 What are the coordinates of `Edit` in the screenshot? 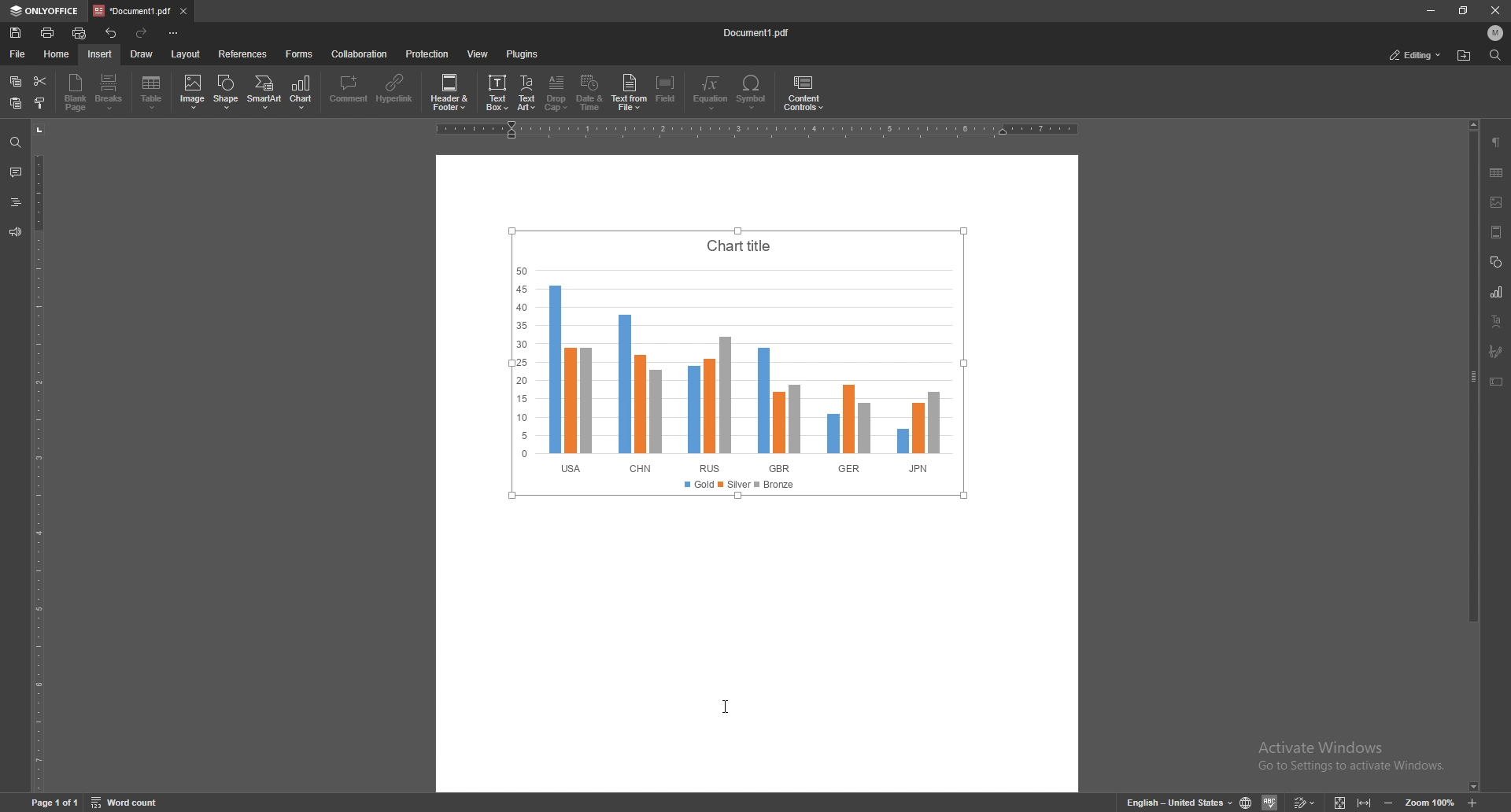 It's located at (1306, 803).